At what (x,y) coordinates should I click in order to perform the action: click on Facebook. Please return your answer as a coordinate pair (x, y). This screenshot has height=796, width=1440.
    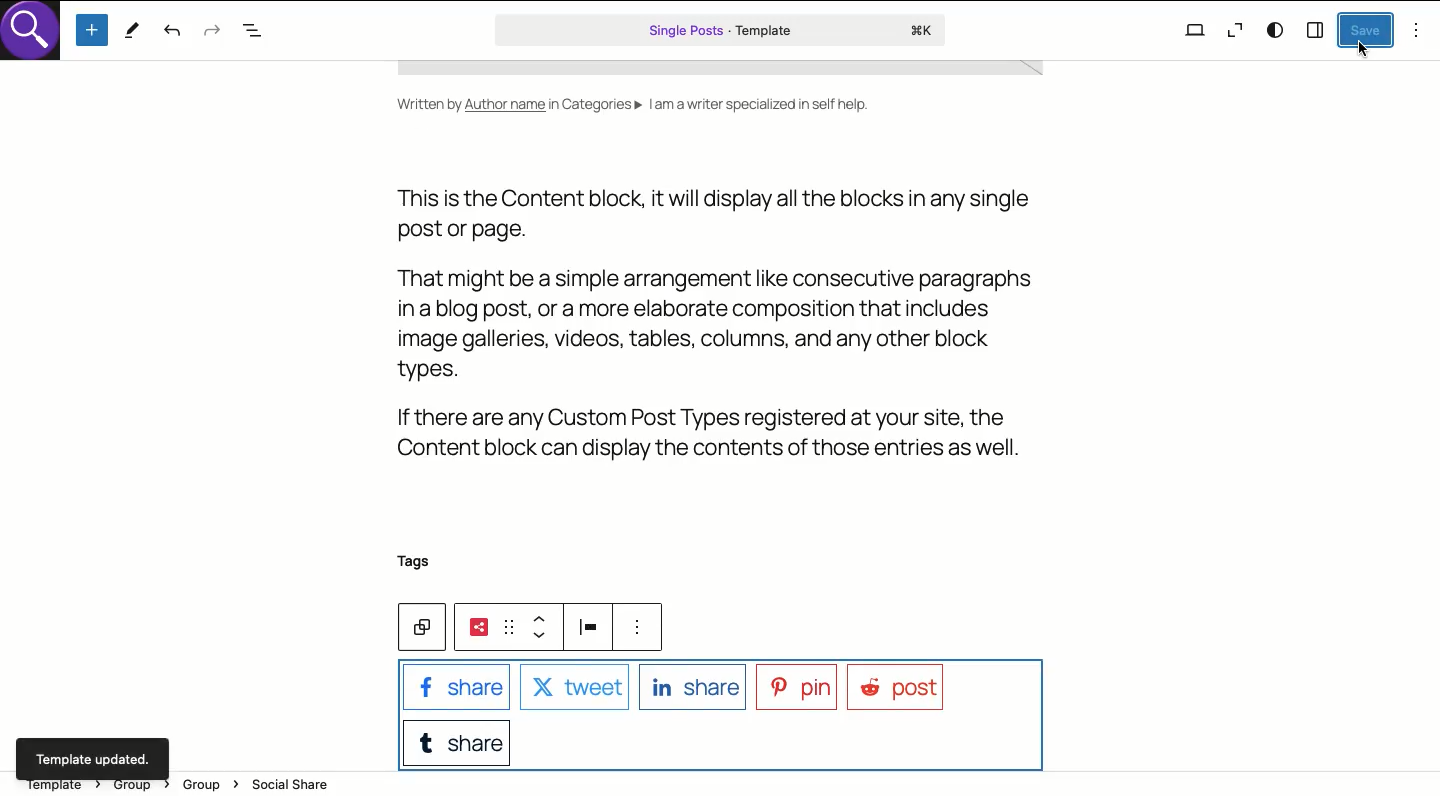
    Looking at the image, I should click on (454, 691).